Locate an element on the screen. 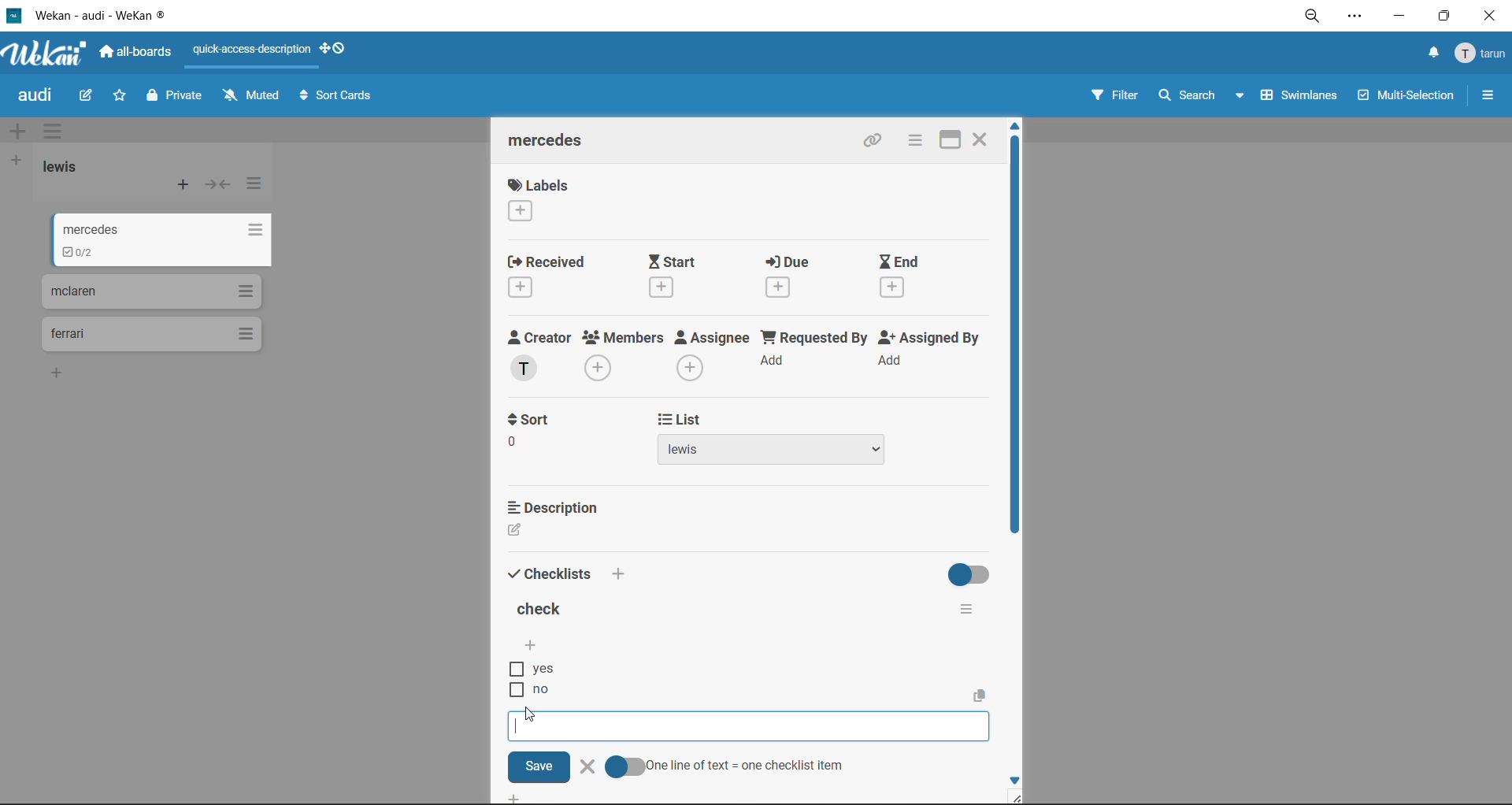 This screenshot has height=805, width=1512. sidebar is located at coordinates (1488, 96).